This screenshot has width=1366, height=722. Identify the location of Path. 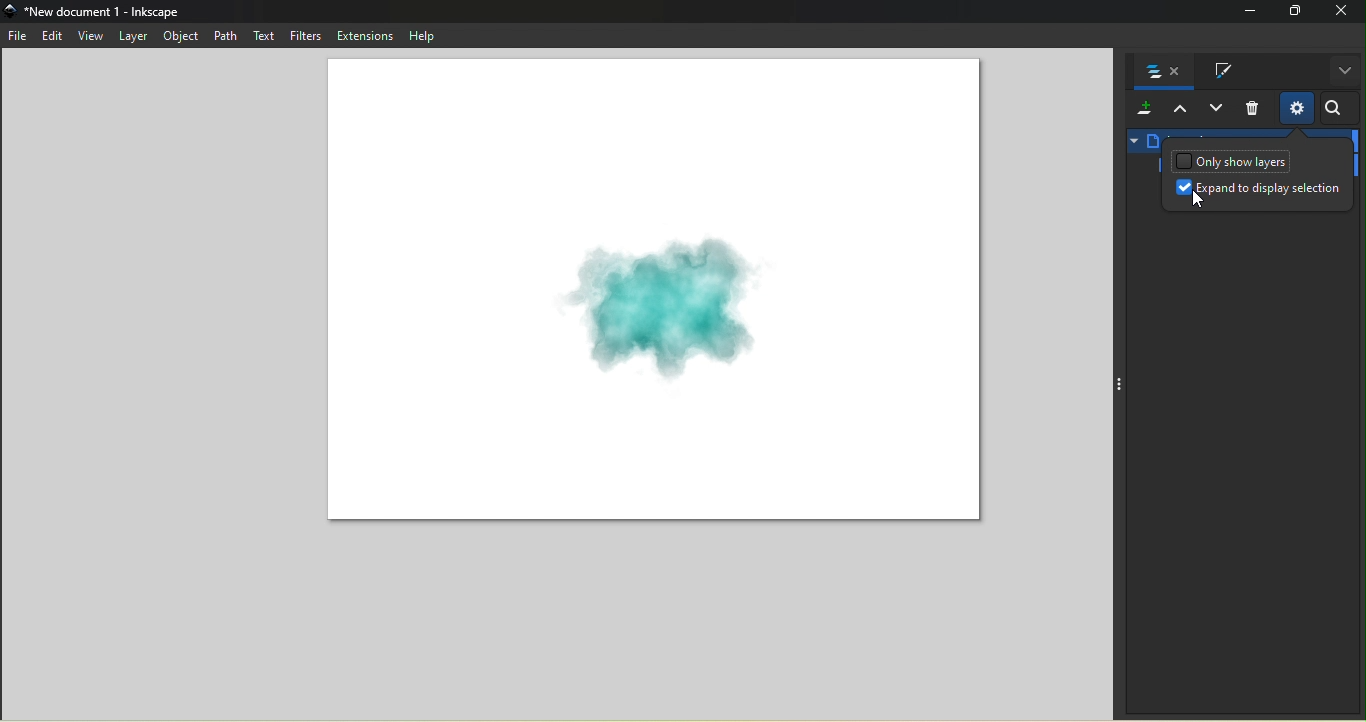
(222, 34).